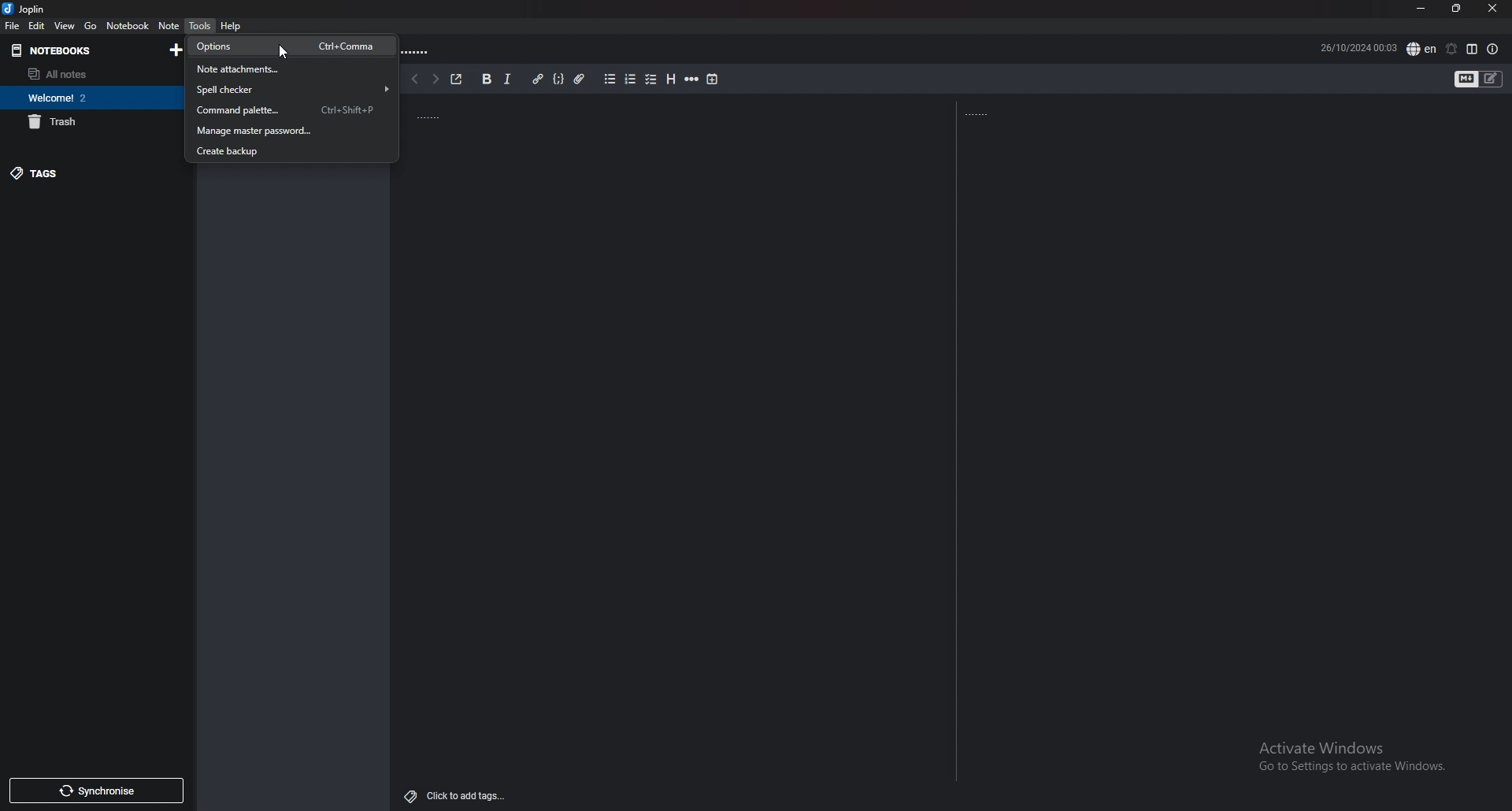 This screenshot has height=811, width=1512. I want to click on code, so click(558, 79).